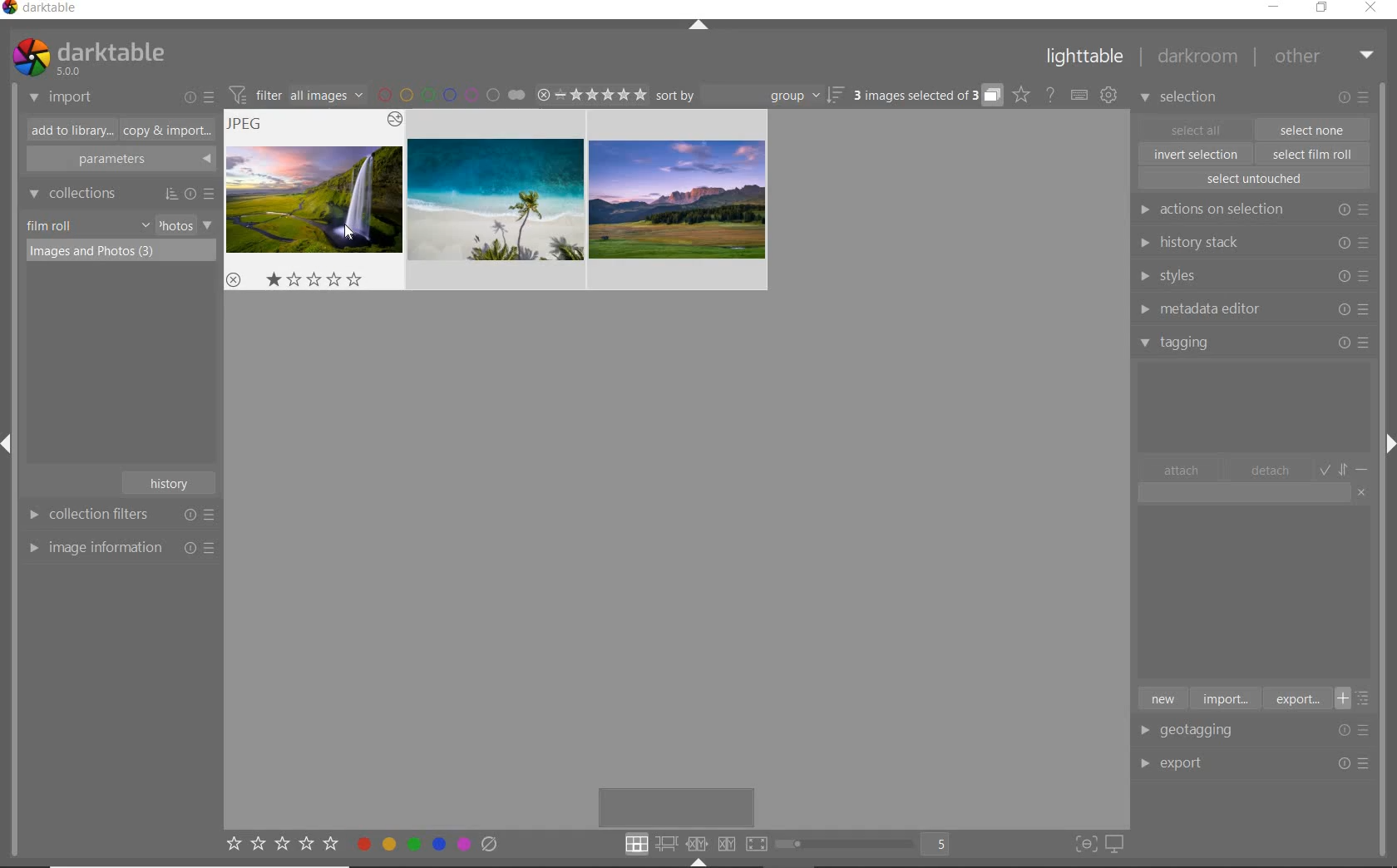 This screenshot has width=1397, height=868. What do you see at coordinates (1324, 56) in the screenshot?
I see `other` at bounding box center [1324, 56].